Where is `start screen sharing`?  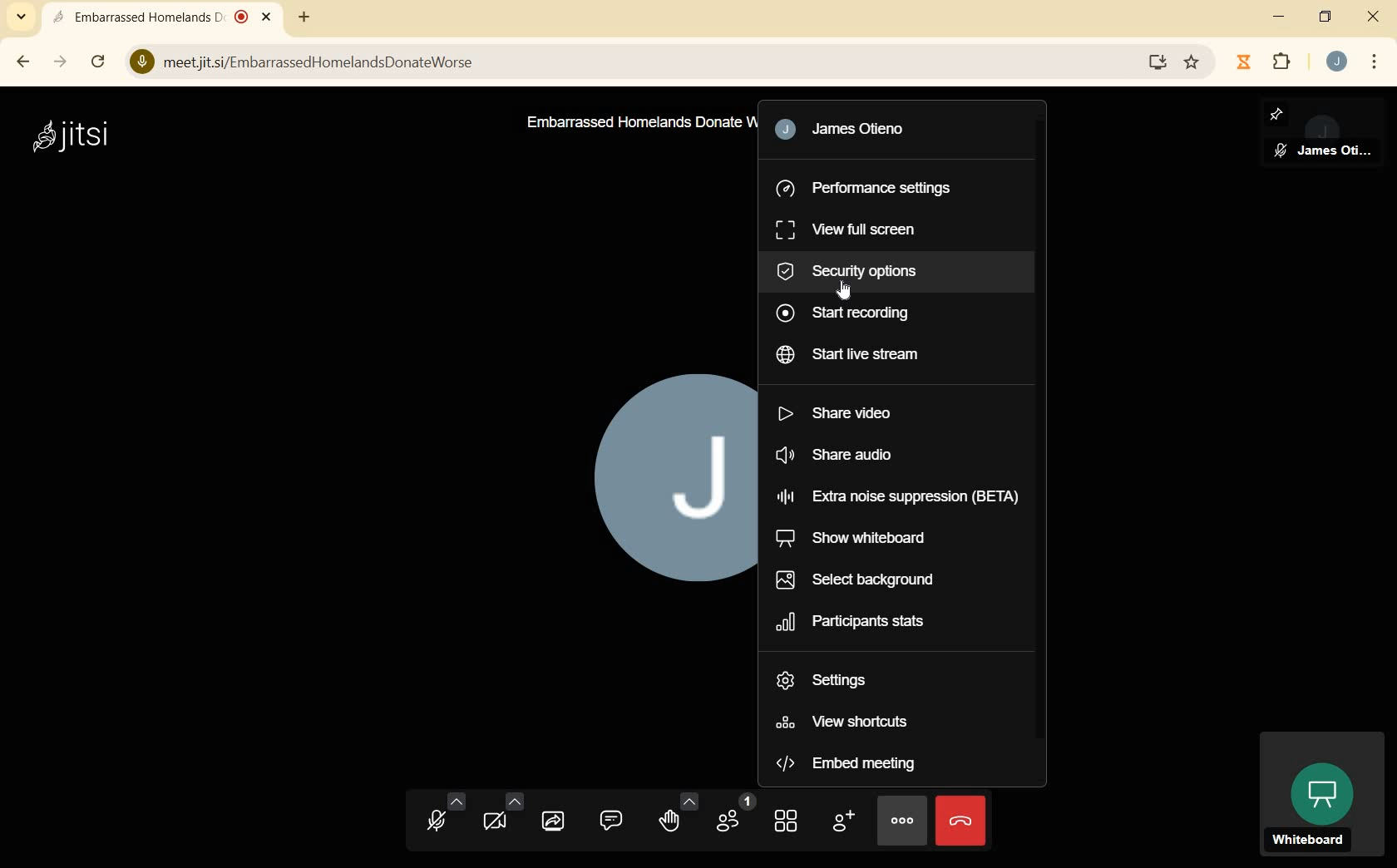
start screen sharing is located at coordinates (555, 820).